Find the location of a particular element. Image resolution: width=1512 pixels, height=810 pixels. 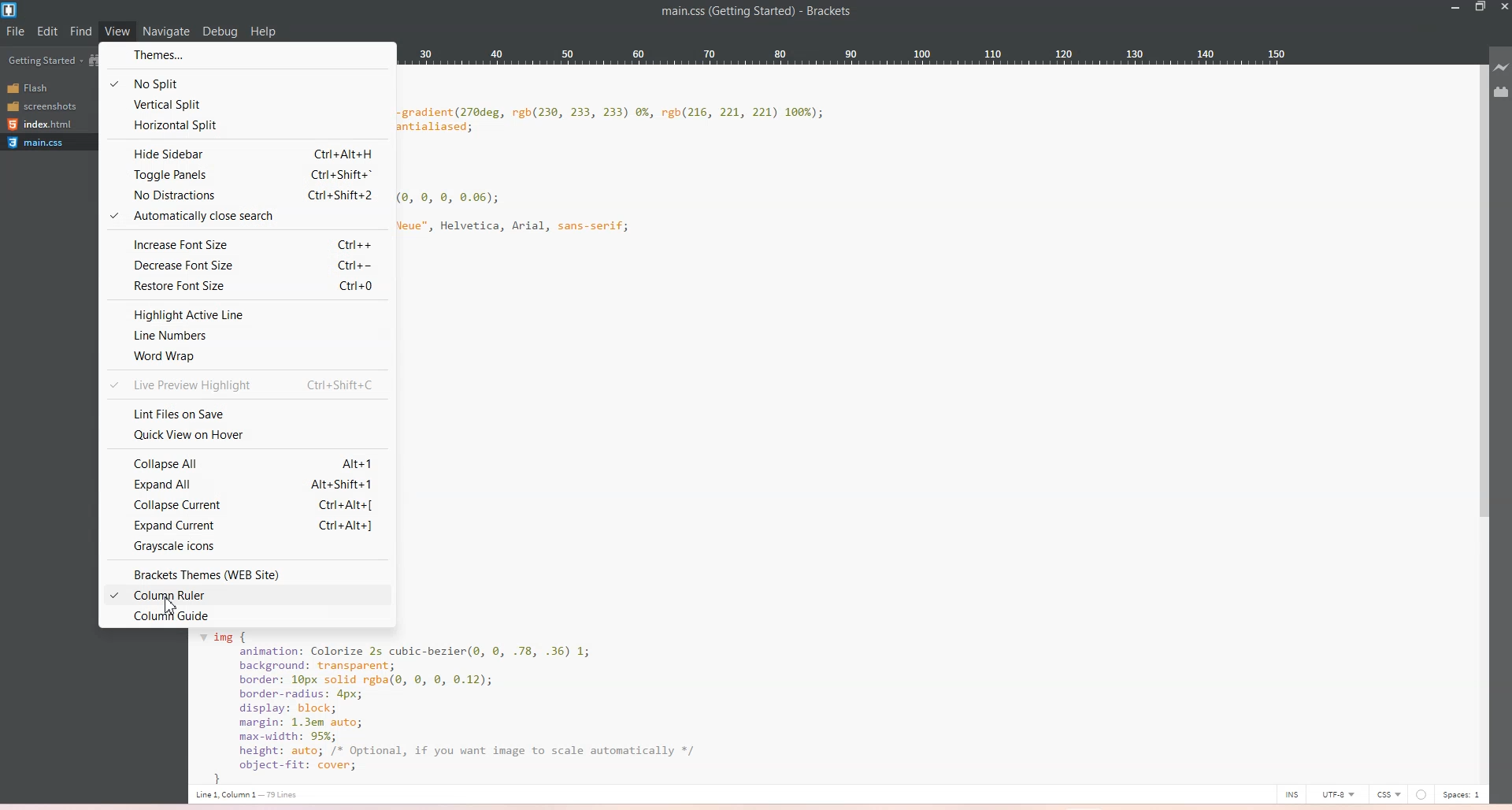

Vertical split is located at coordinates (246, 104).